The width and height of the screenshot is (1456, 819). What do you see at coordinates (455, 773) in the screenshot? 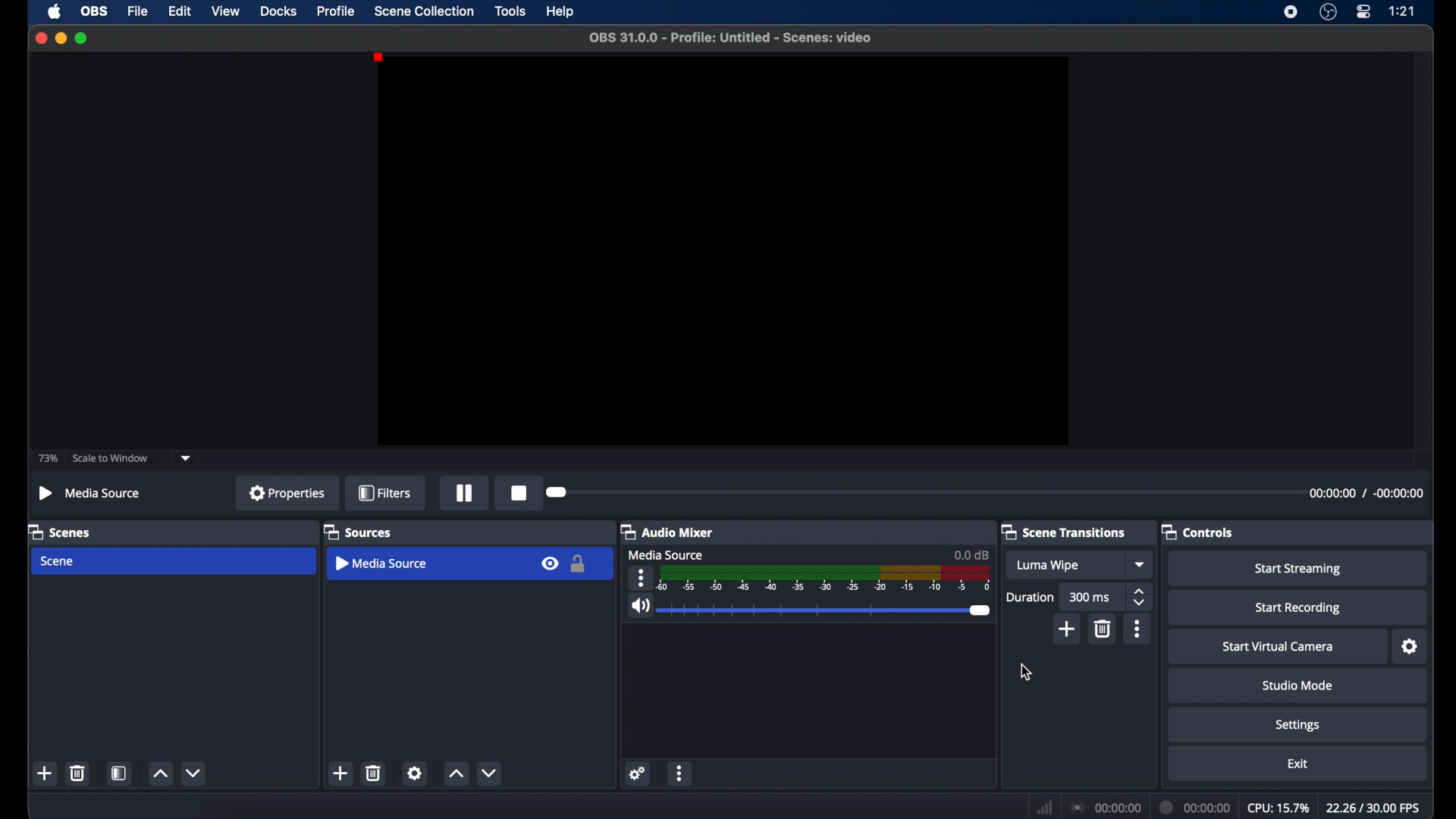
I see `increment` at bounding box center [455, 773].